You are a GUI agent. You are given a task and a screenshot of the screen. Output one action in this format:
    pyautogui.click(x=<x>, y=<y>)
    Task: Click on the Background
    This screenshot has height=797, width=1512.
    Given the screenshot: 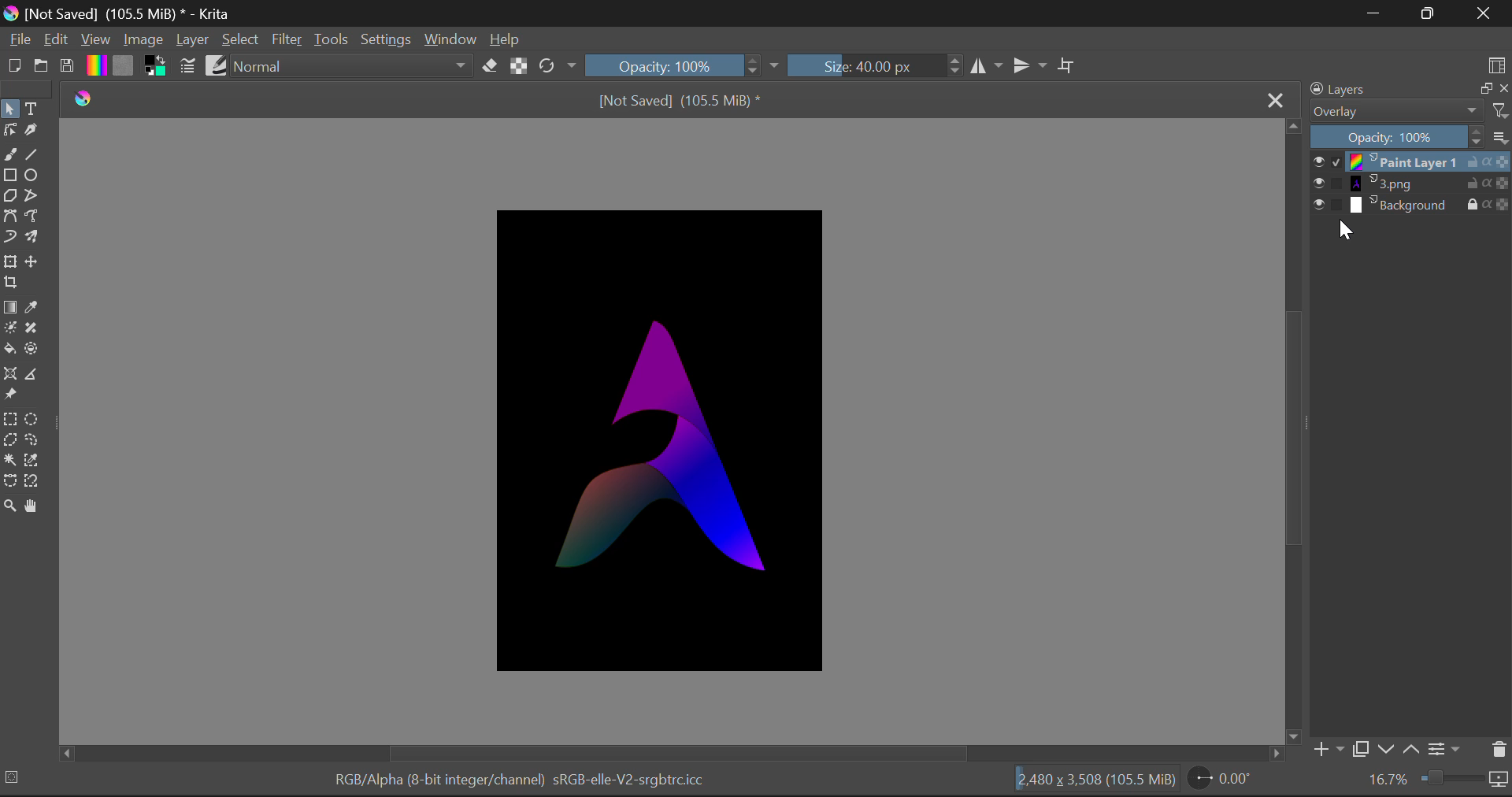 What is the action you would take?
    pyautogui.click(x=1406, y=206)
    